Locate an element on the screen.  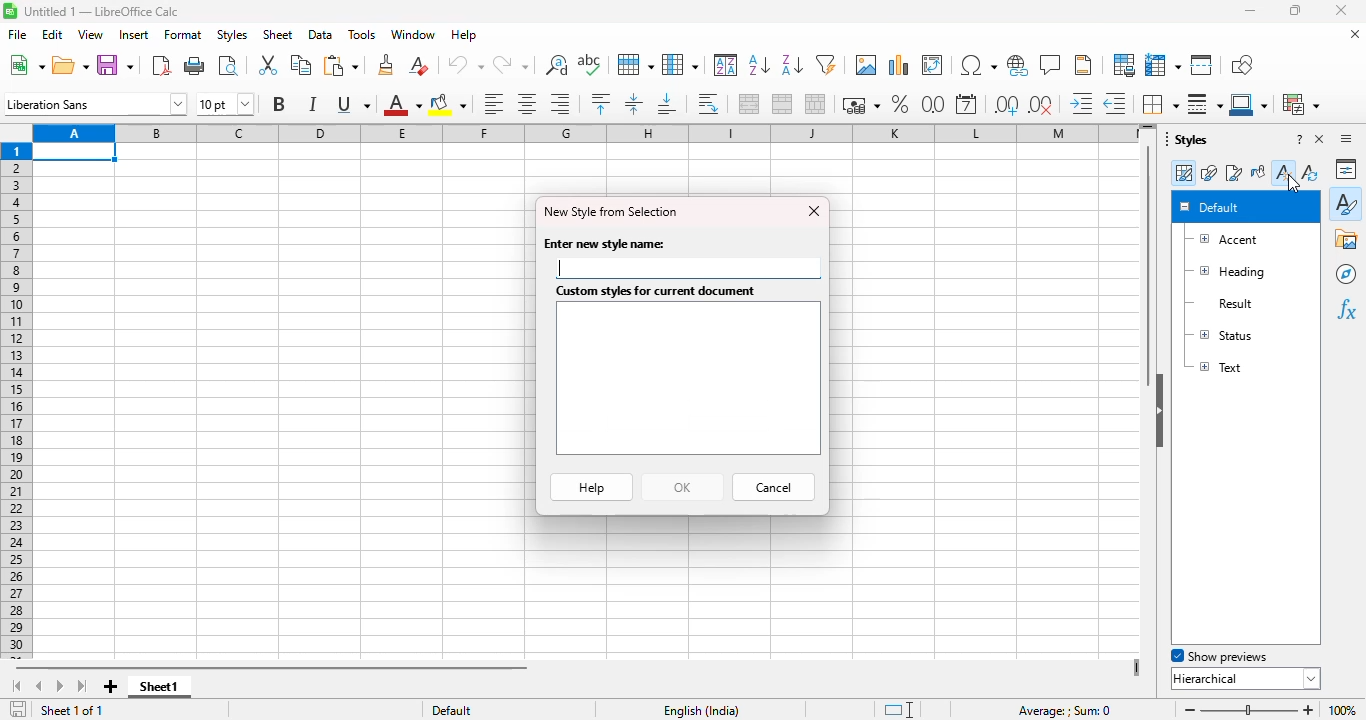
insert comment is located at coordinates (1051, 64).